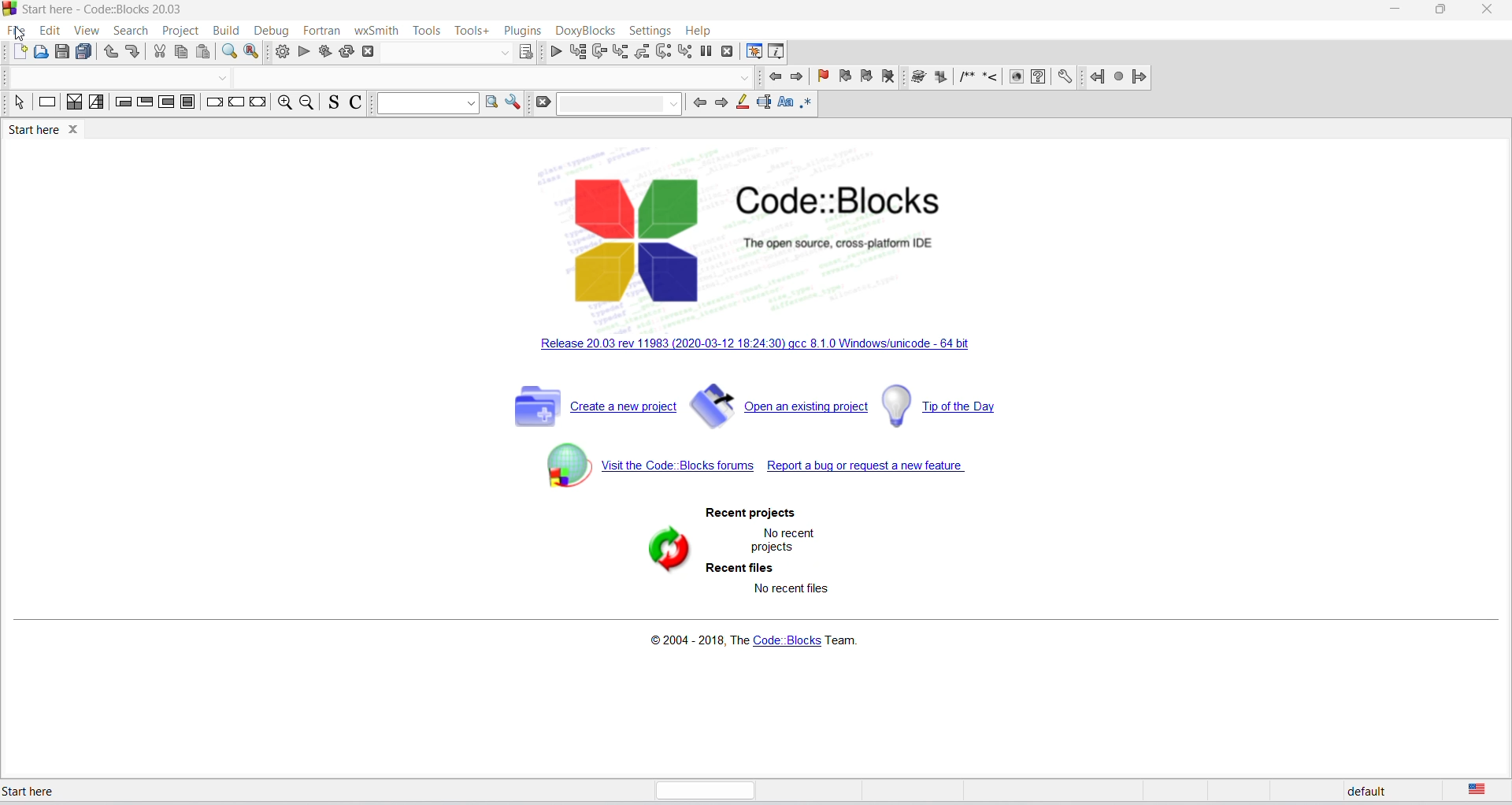  I want to click on dropdown, so click(428, 104).